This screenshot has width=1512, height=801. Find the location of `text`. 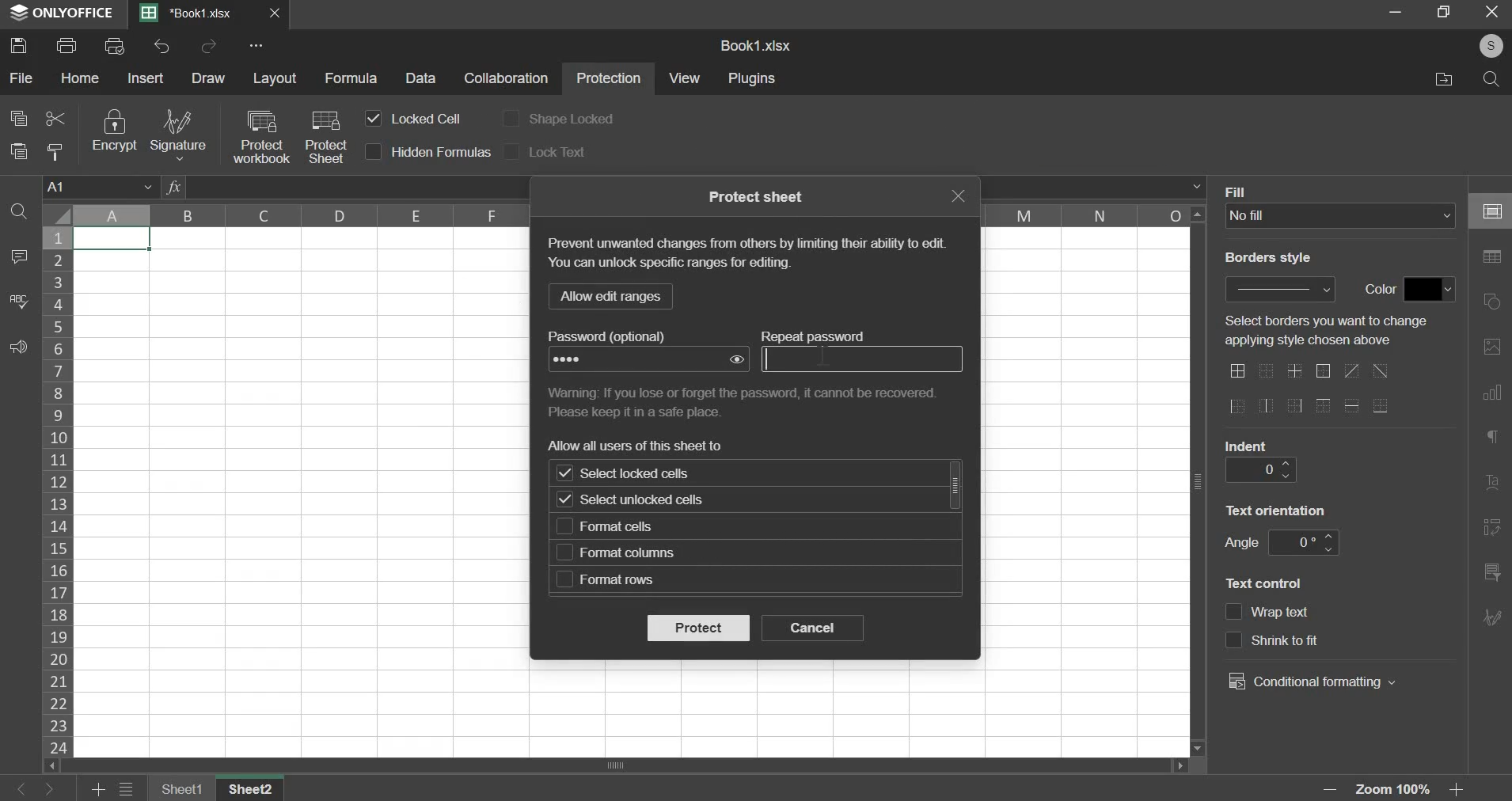

text is located at coordinates (746, 256).